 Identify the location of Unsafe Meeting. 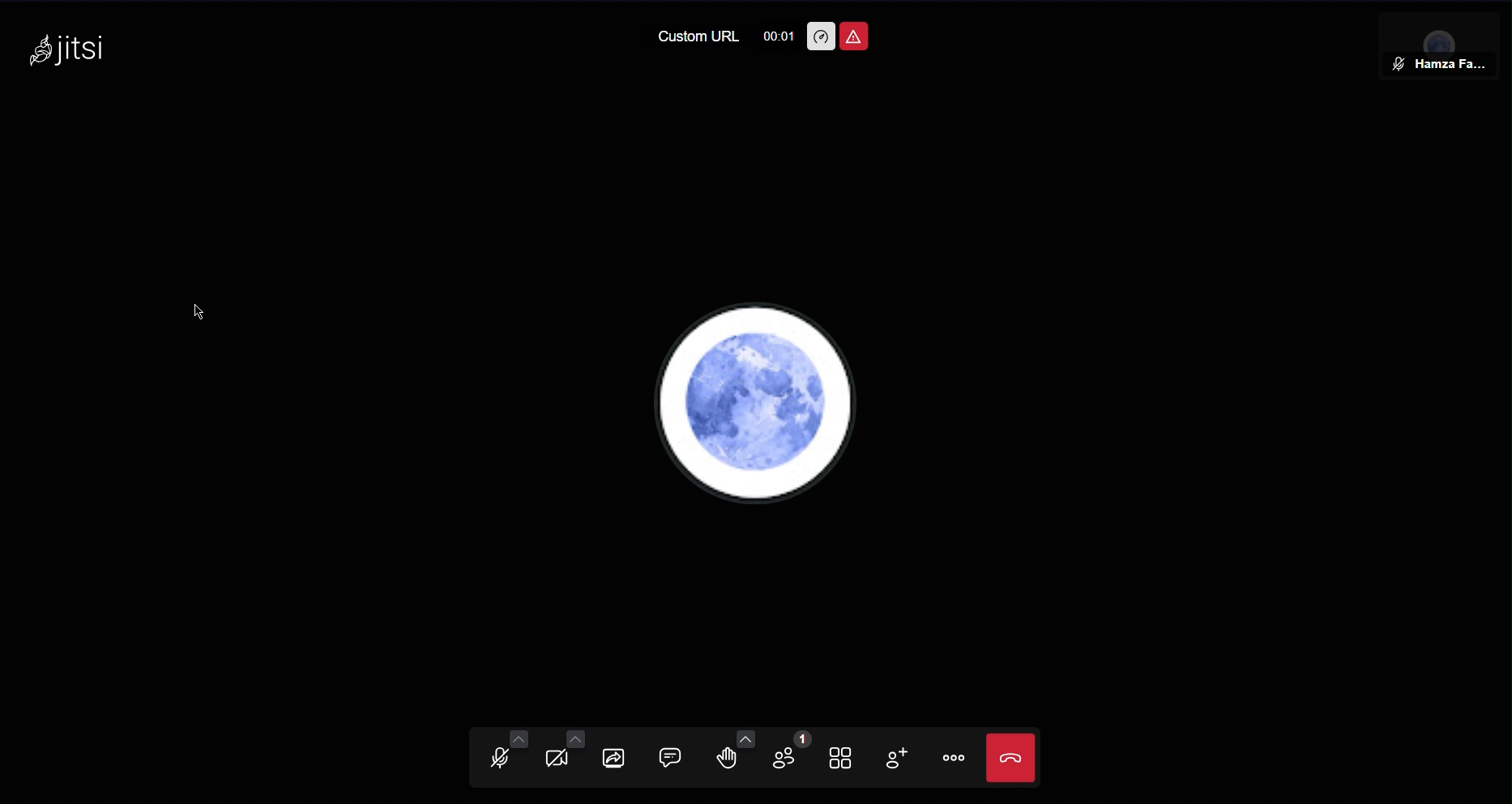
(855, 38).